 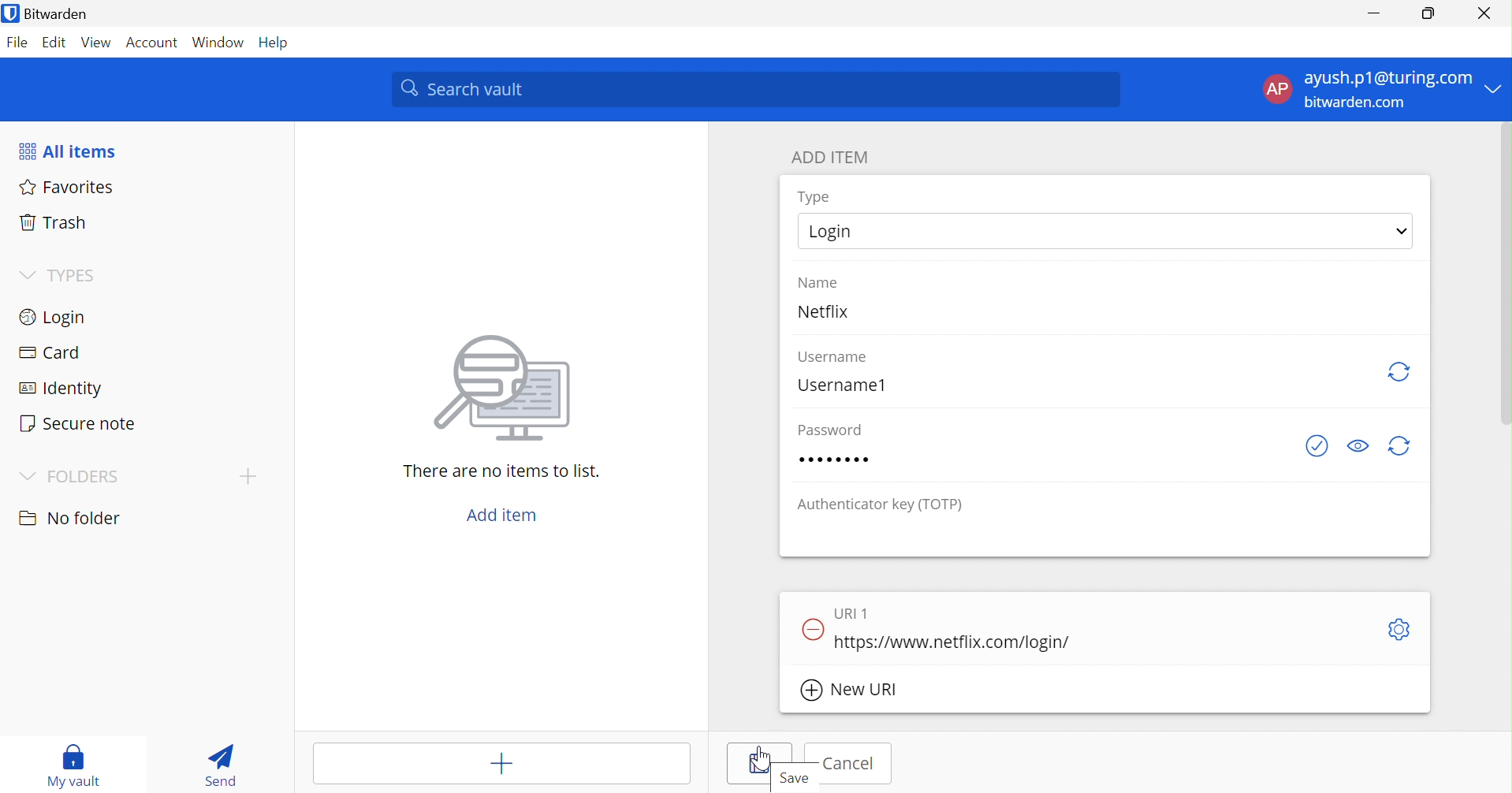 I want to click on My vault, so click(x=73, y=765).